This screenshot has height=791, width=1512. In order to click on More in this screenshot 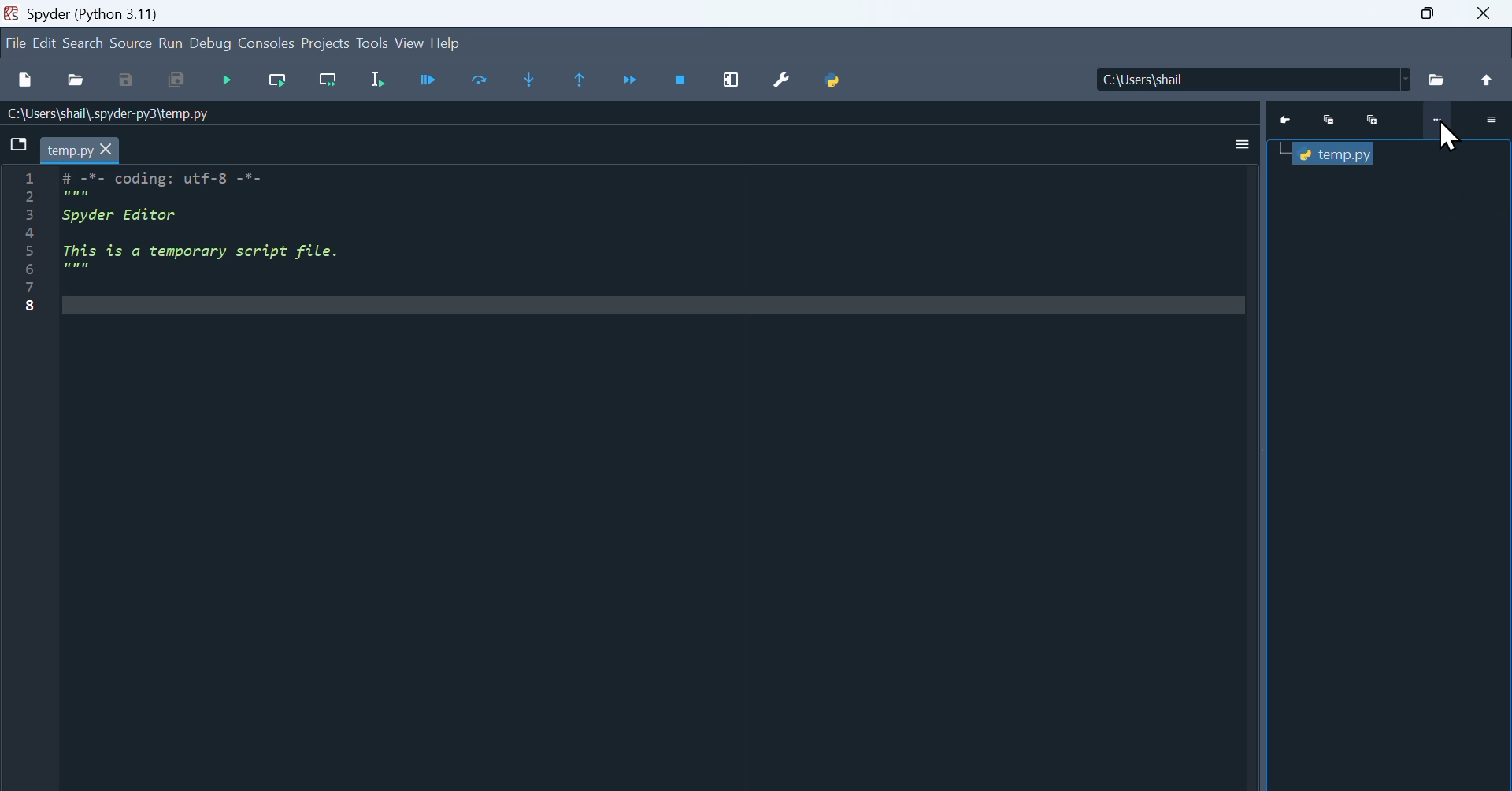, I will do `click(1436, 122)`.